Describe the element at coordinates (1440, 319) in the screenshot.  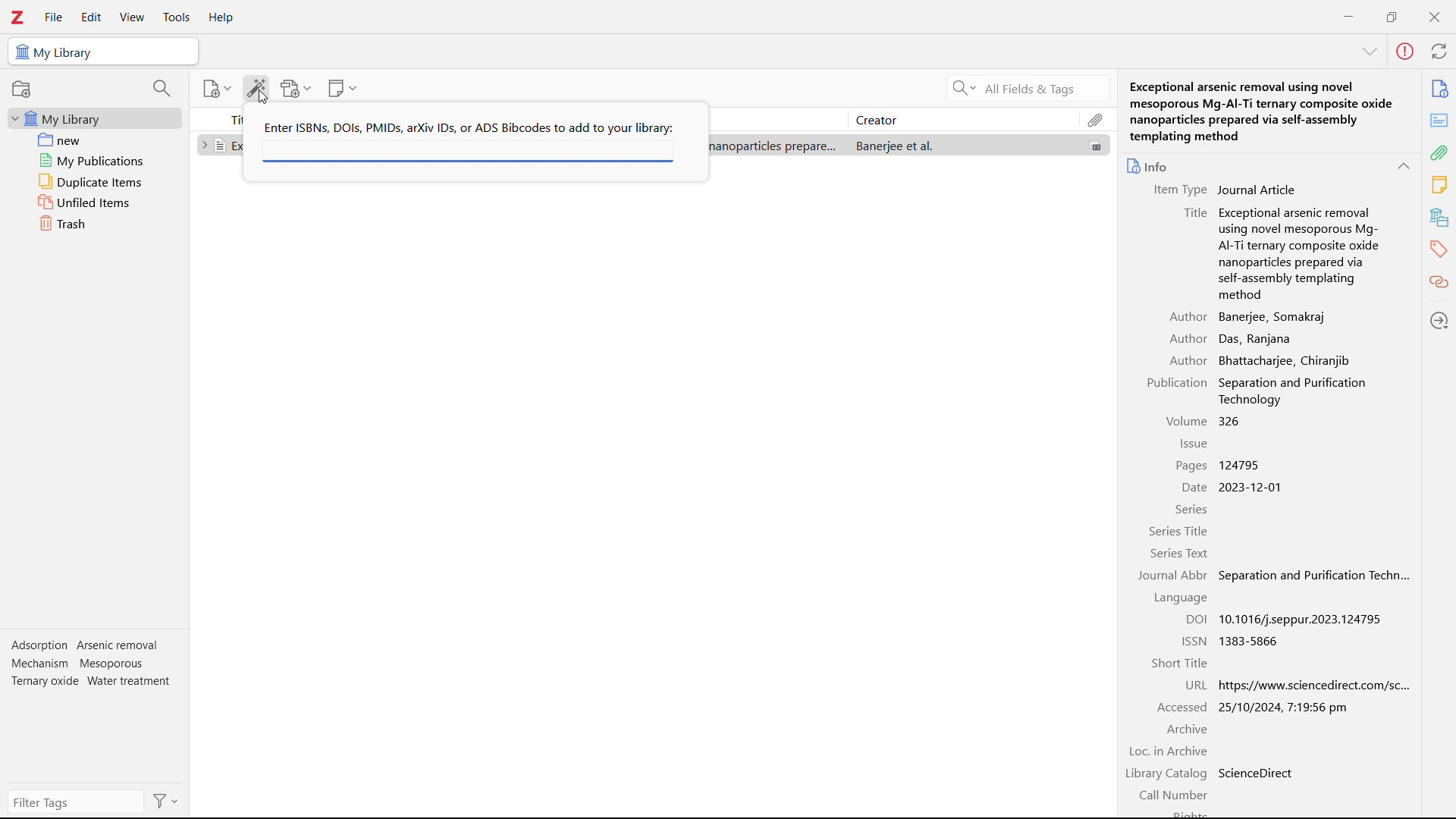
I see `locate` at that location.